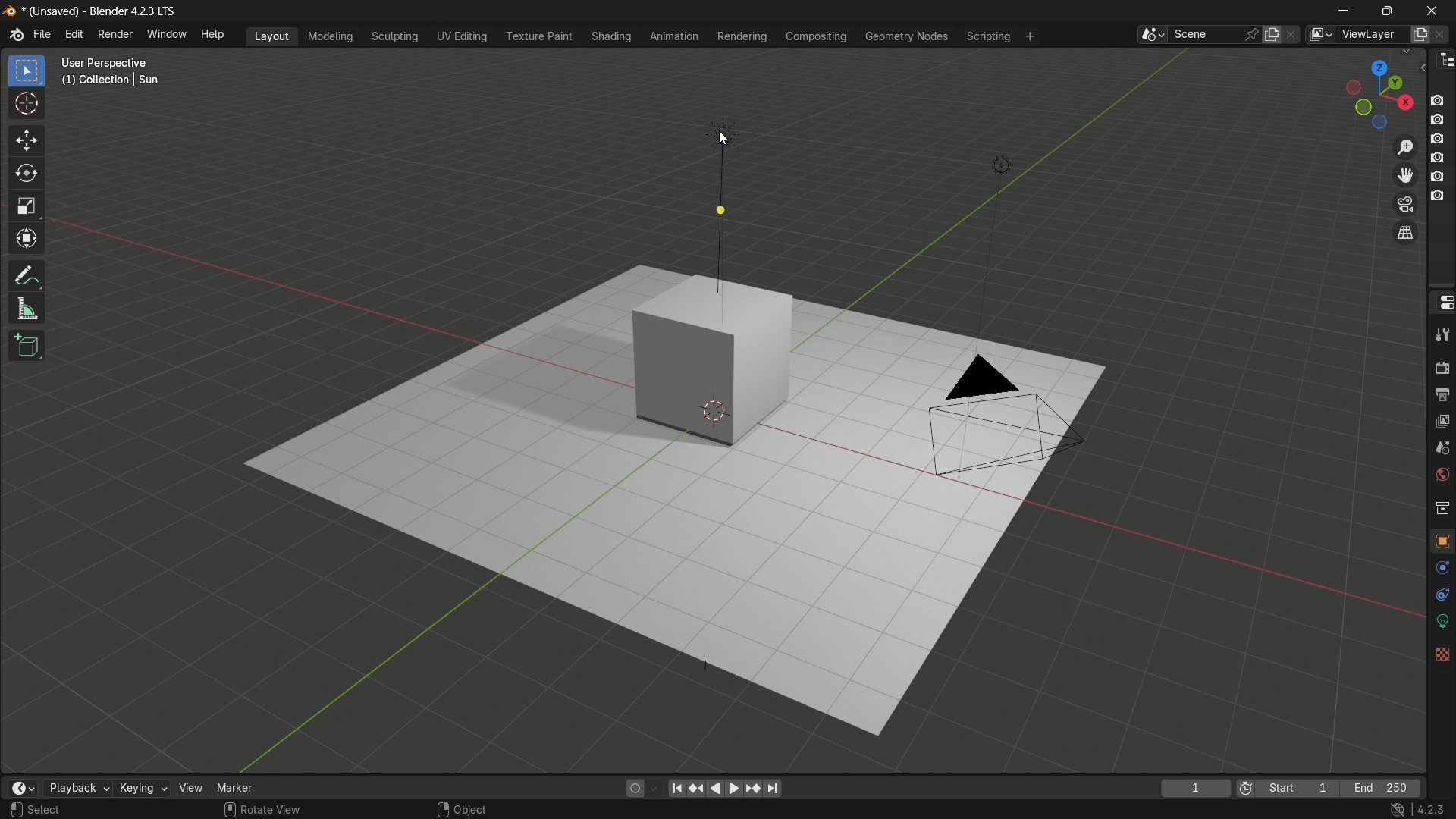 This screenshot has height=819, width=1456. I want to click on logo, so click(15, 35).